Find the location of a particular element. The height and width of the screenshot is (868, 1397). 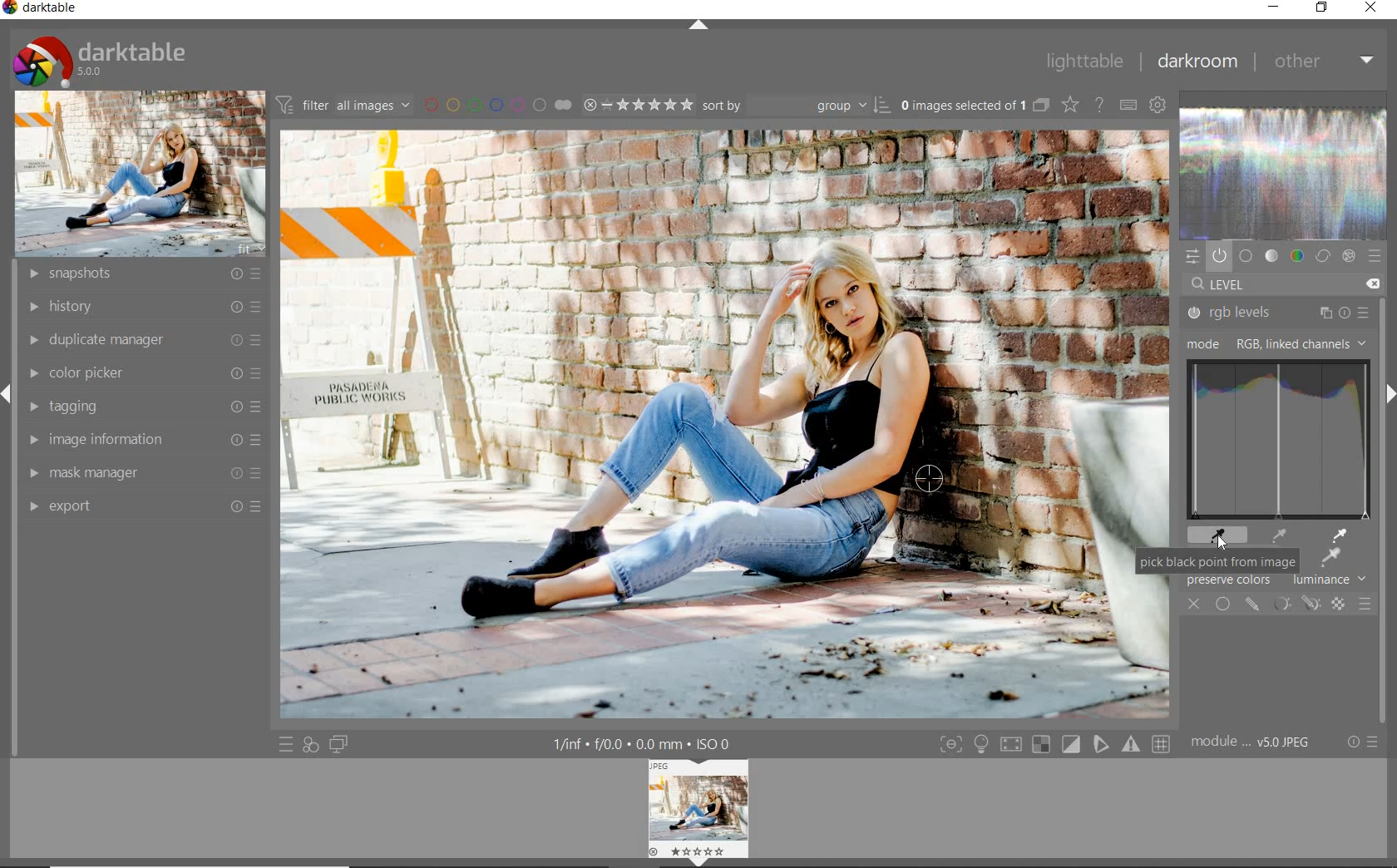

blending options is located at coordinates (1365, 602).